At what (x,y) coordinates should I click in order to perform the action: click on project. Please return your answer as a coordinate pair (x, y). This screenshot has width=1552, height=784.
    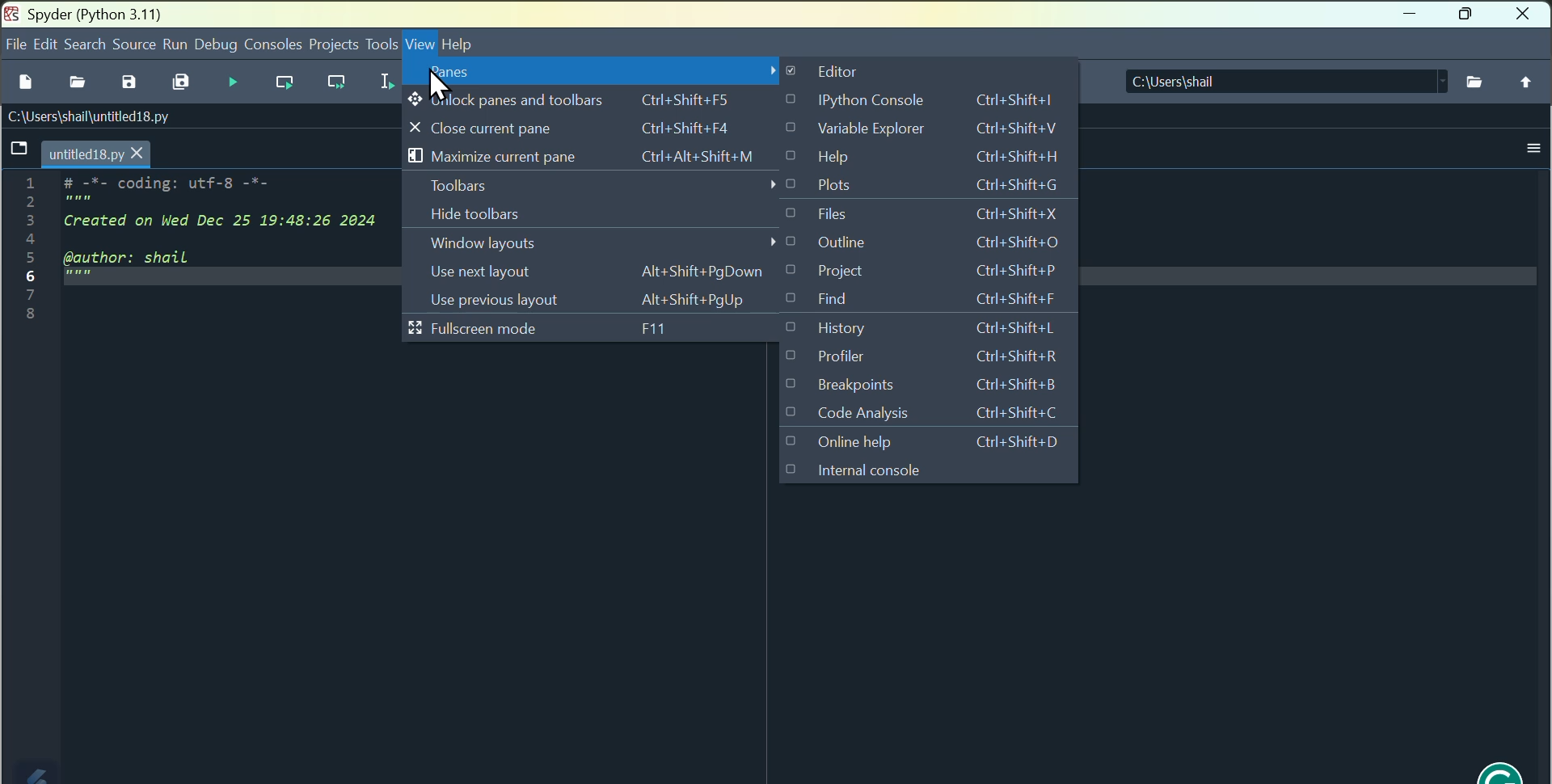
    Looking at the image, I should click on (333, 43).